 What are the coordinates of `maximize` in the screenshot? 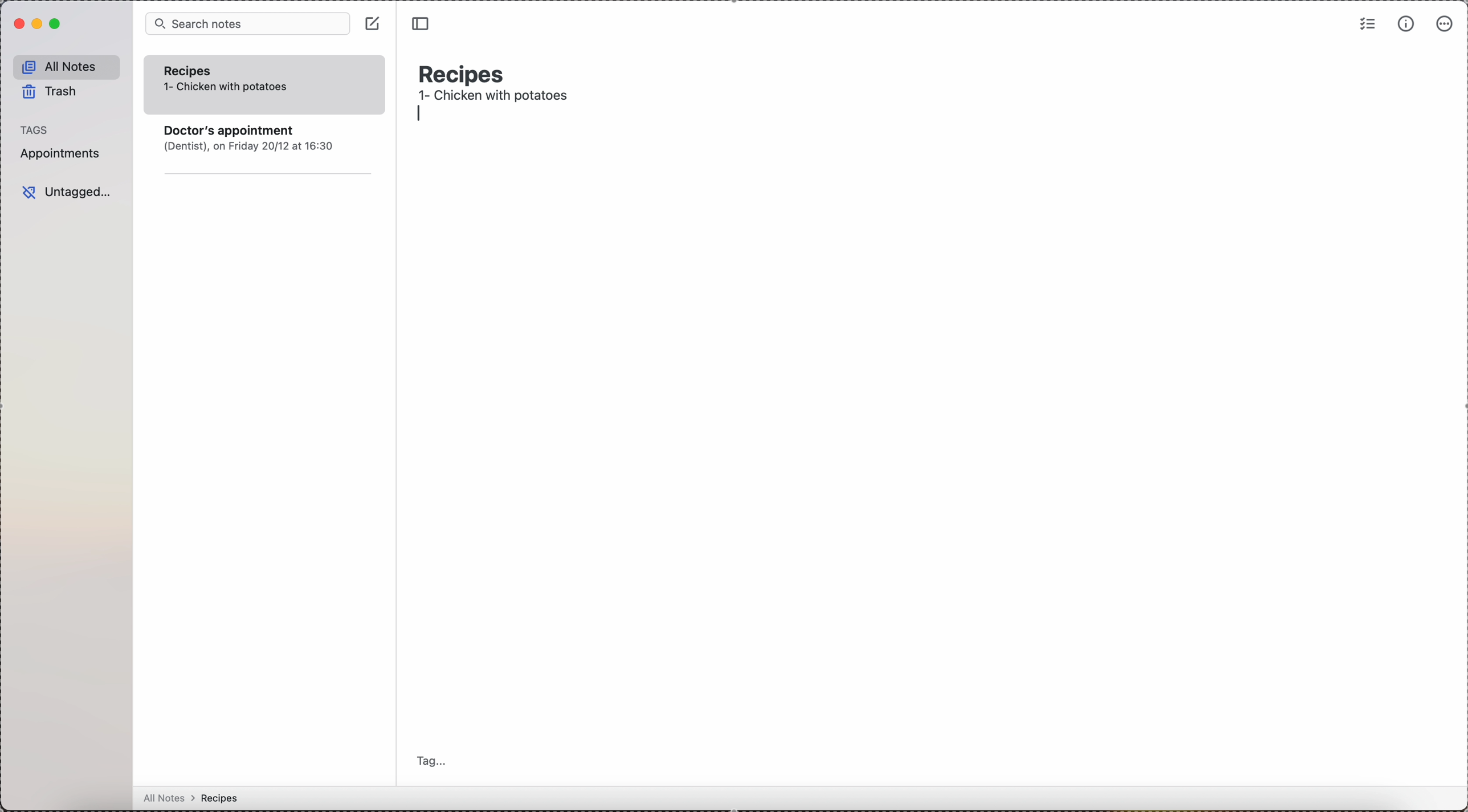 It's located at (59, 25).